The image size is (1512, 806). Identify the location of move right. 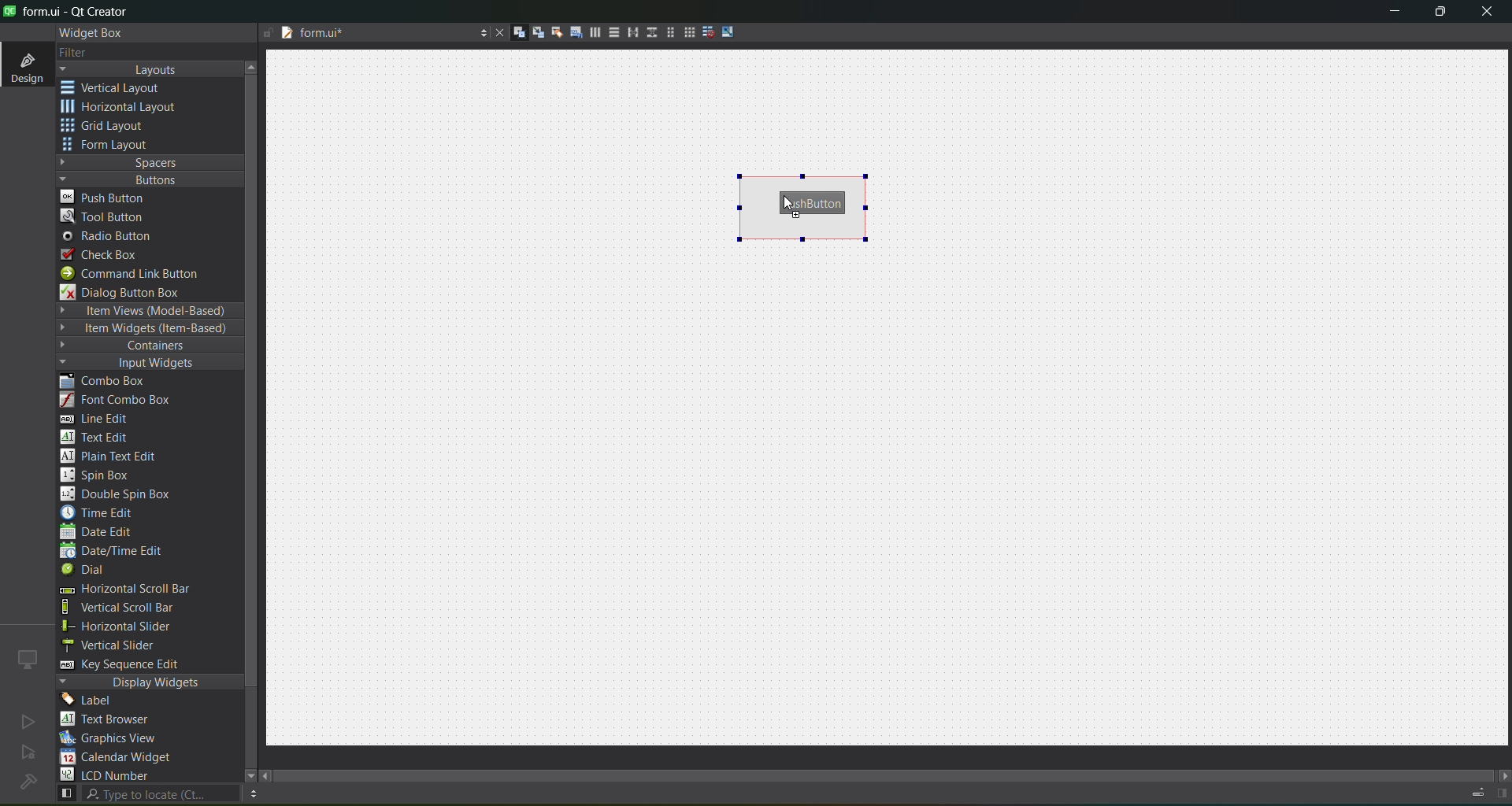
(1503, 777).